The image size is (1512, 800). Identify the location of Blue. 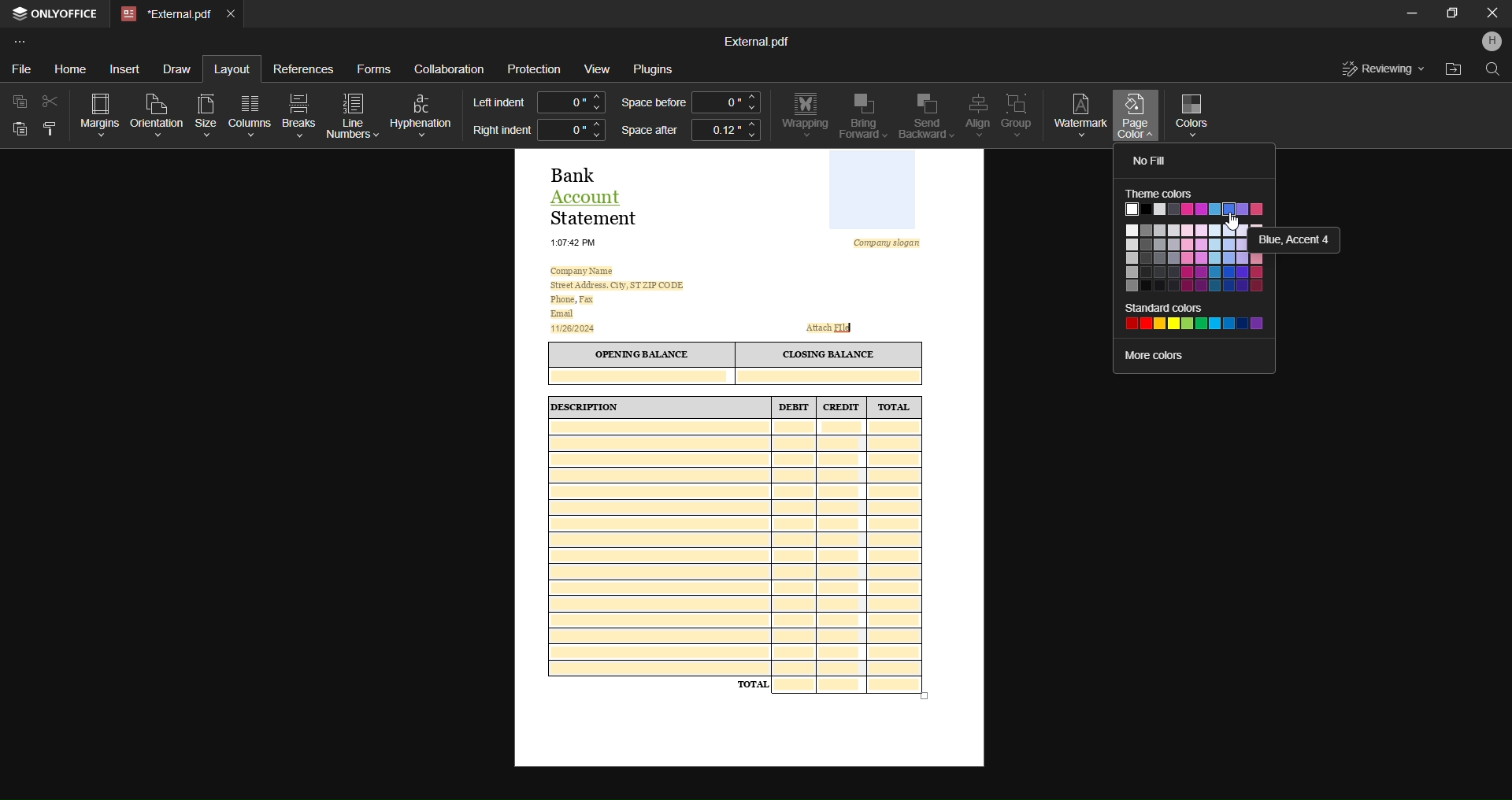
(1295, 239).